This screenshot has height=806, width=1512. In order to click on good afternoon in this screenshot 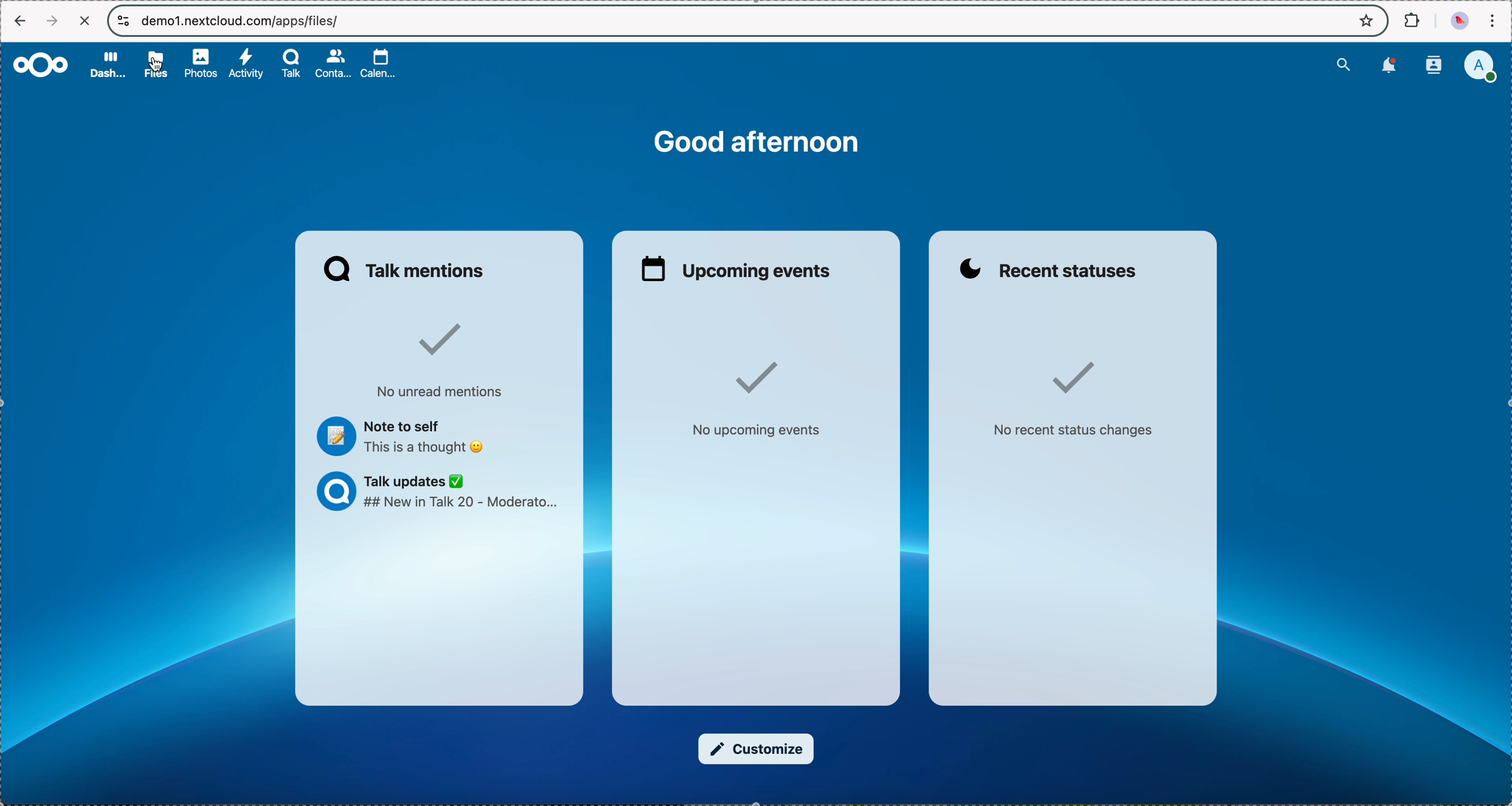, I will do `click(758, 142)`.